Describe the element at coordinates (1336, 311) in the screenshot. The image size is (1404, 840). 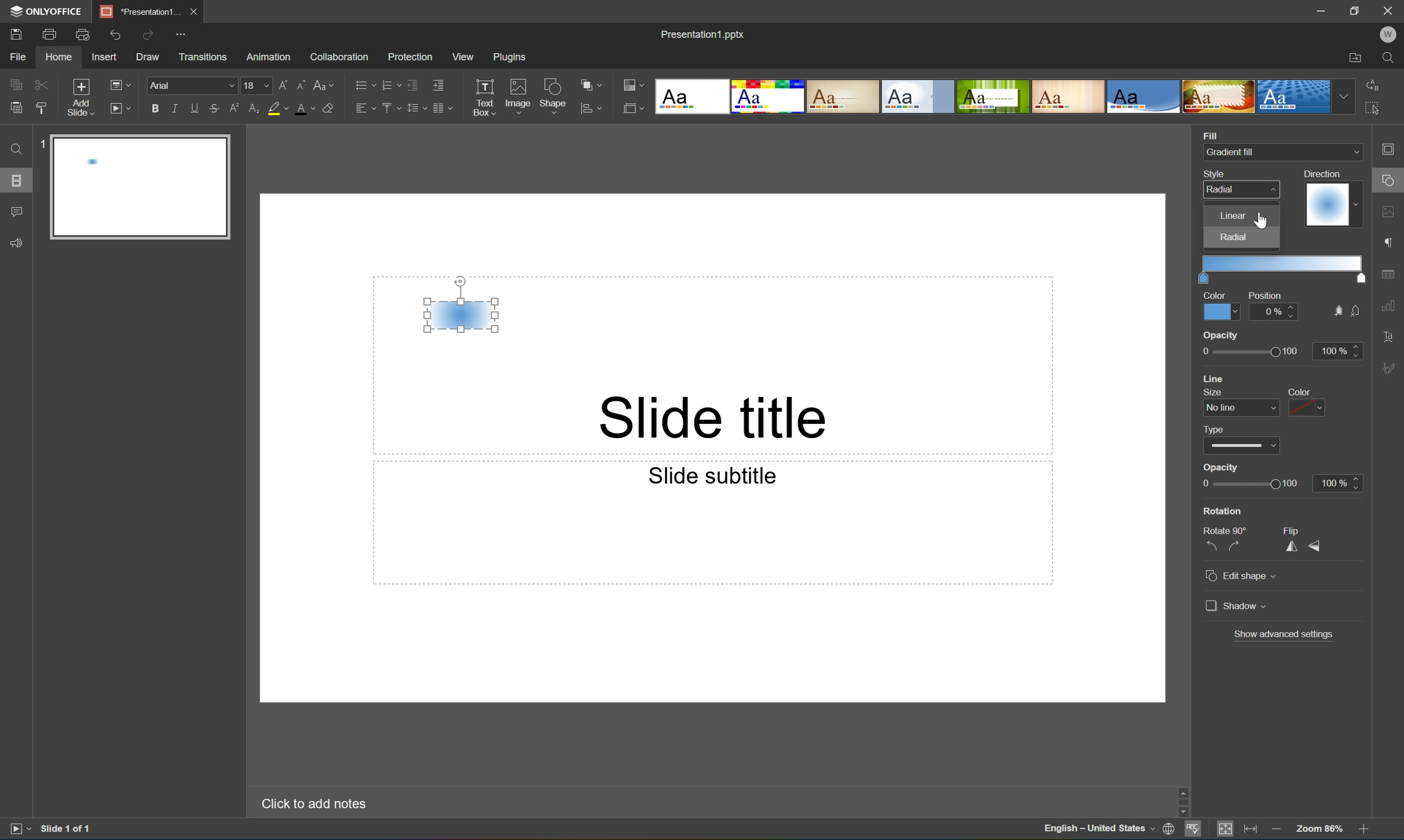
I see `fill` at that location.